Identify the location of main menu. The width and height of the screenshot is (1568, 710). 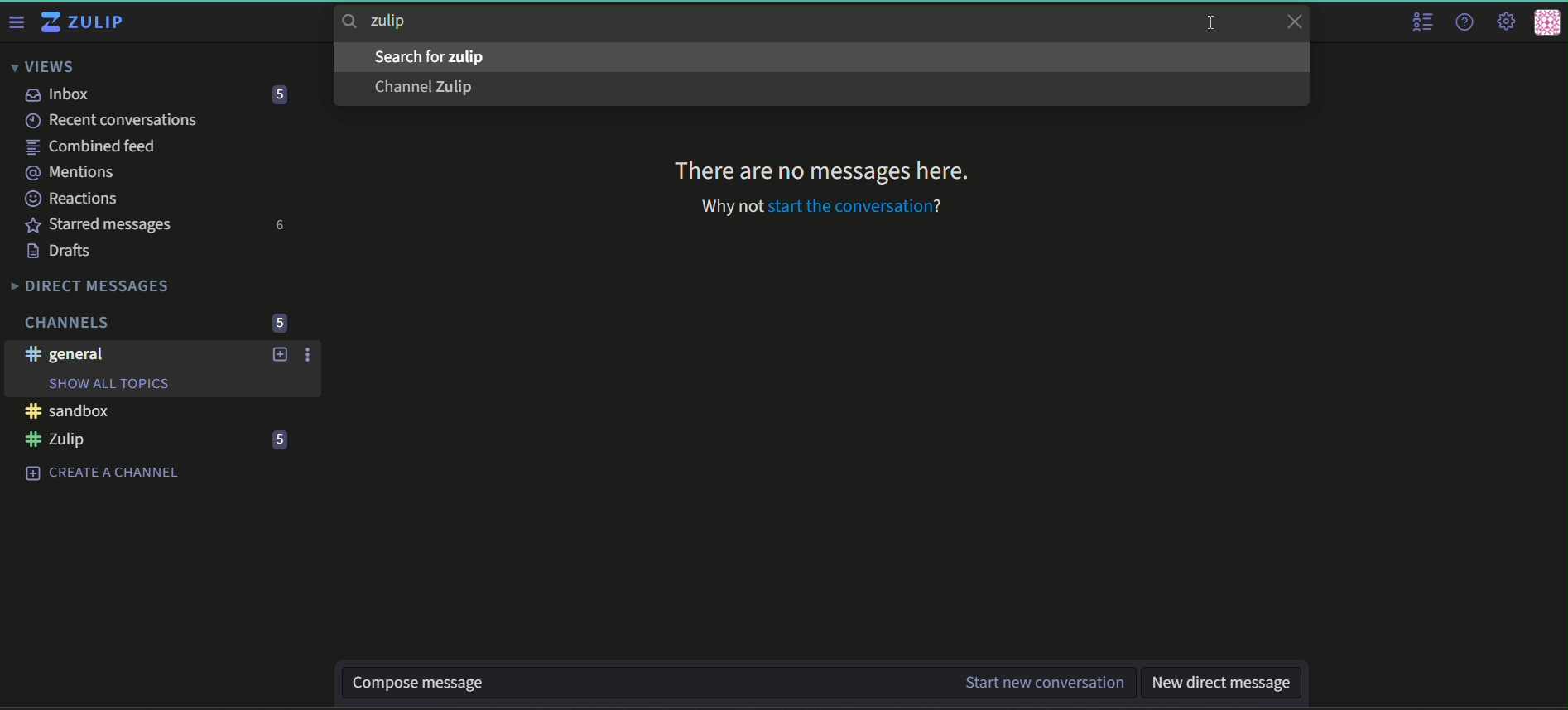
(1508, 19).